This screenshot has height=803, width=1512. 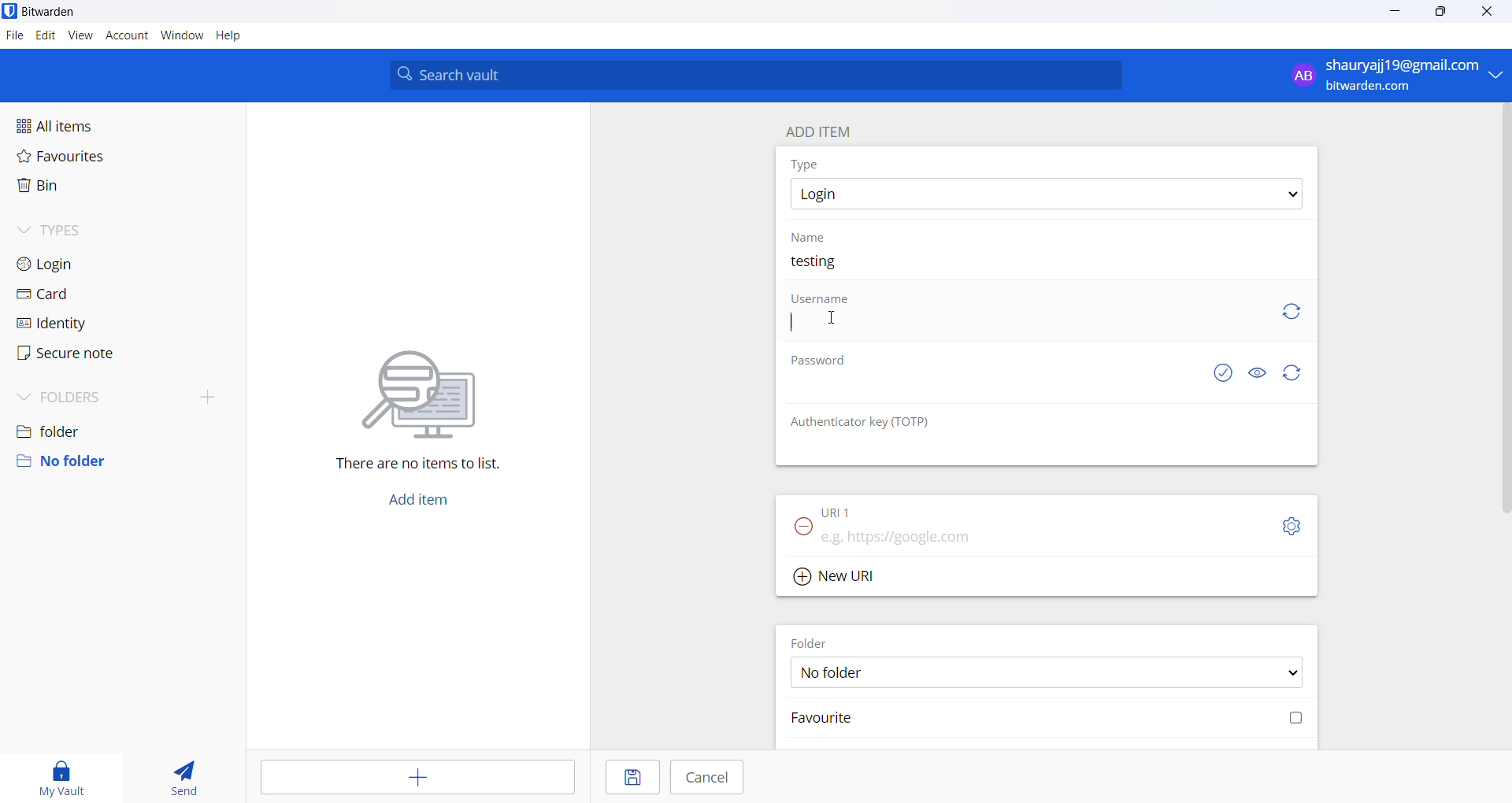 What do you see at coordinates (80, 354) in the screenshot?
I see `secure note` at bounding box center [80, 354].